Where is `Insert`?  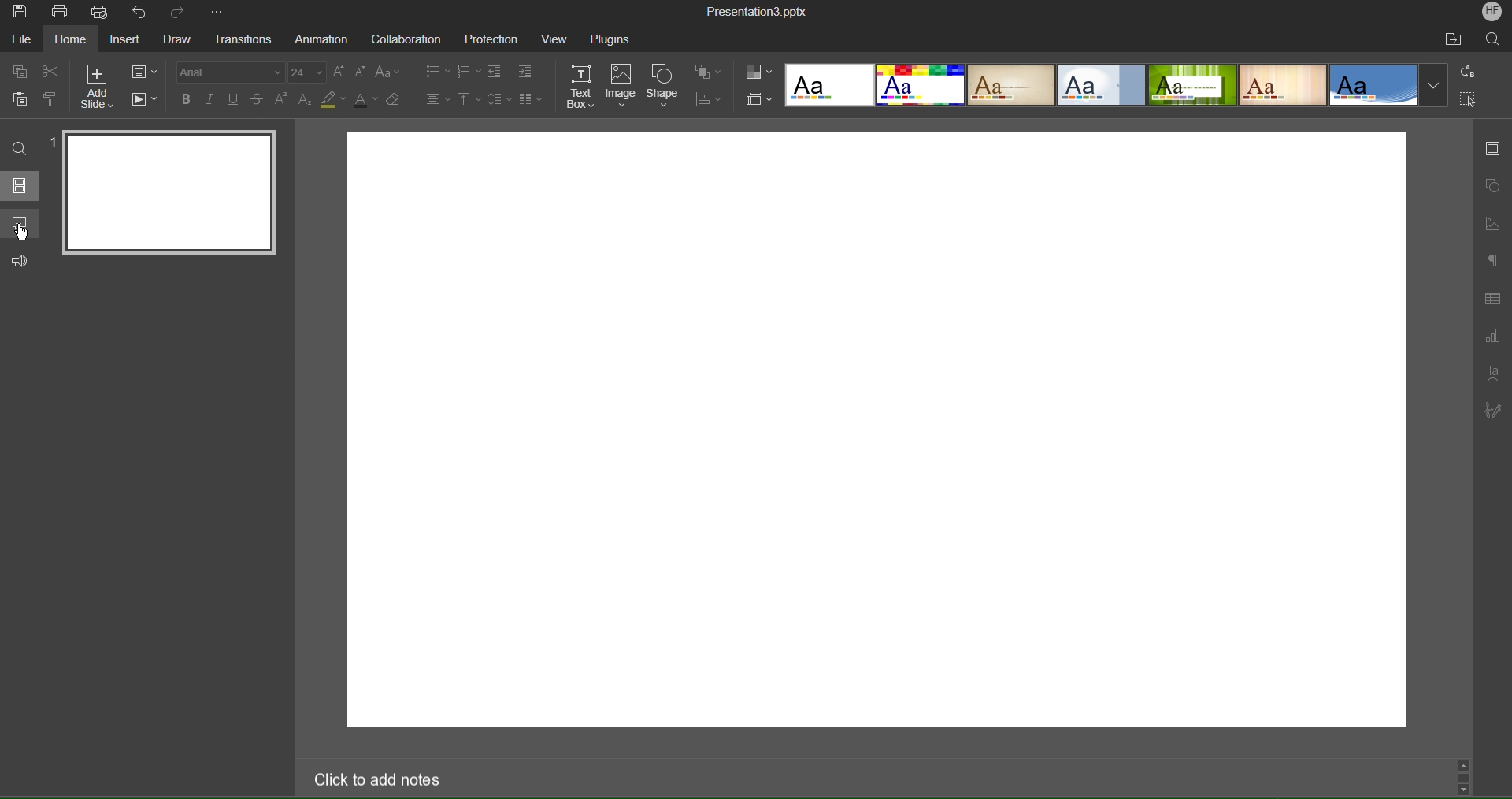
Insert is located at coordinates (127, 42).